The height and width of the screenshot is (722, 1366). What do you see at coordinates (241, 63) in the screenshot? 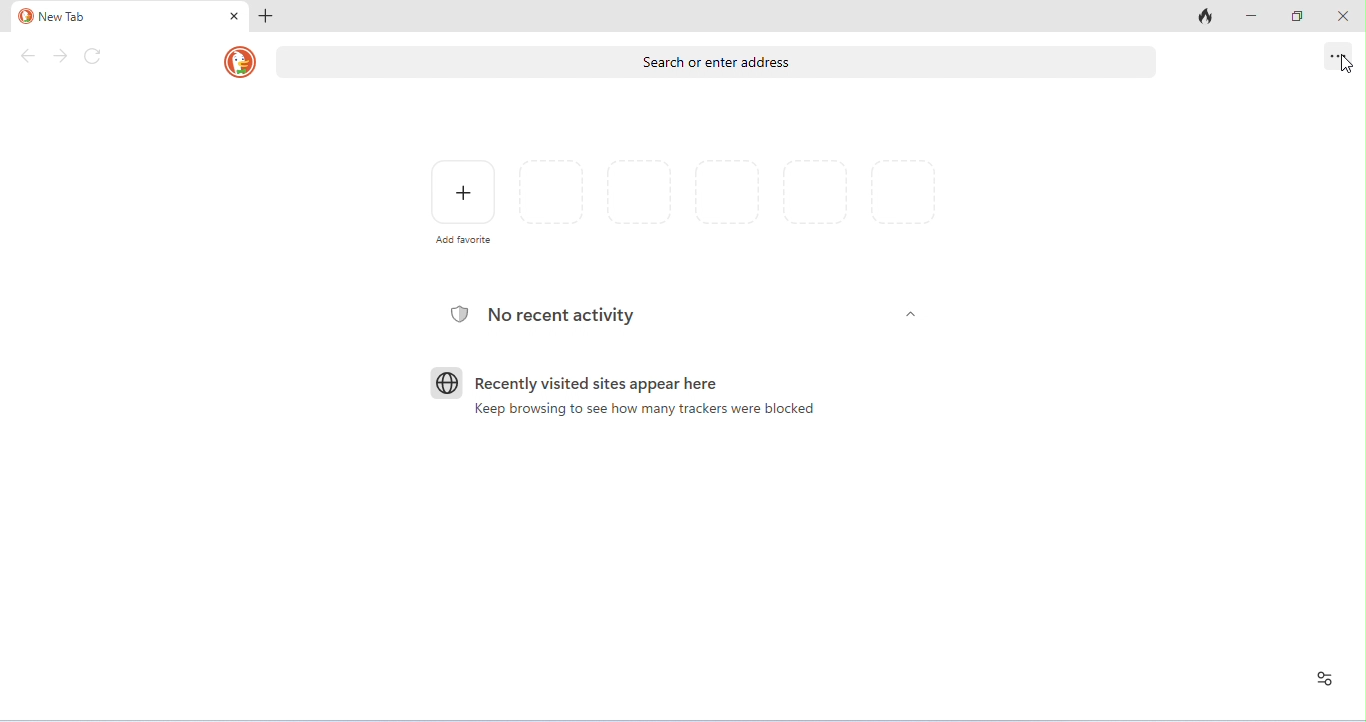
I see `duckduckgo logo` at bounding box center [241, 63].